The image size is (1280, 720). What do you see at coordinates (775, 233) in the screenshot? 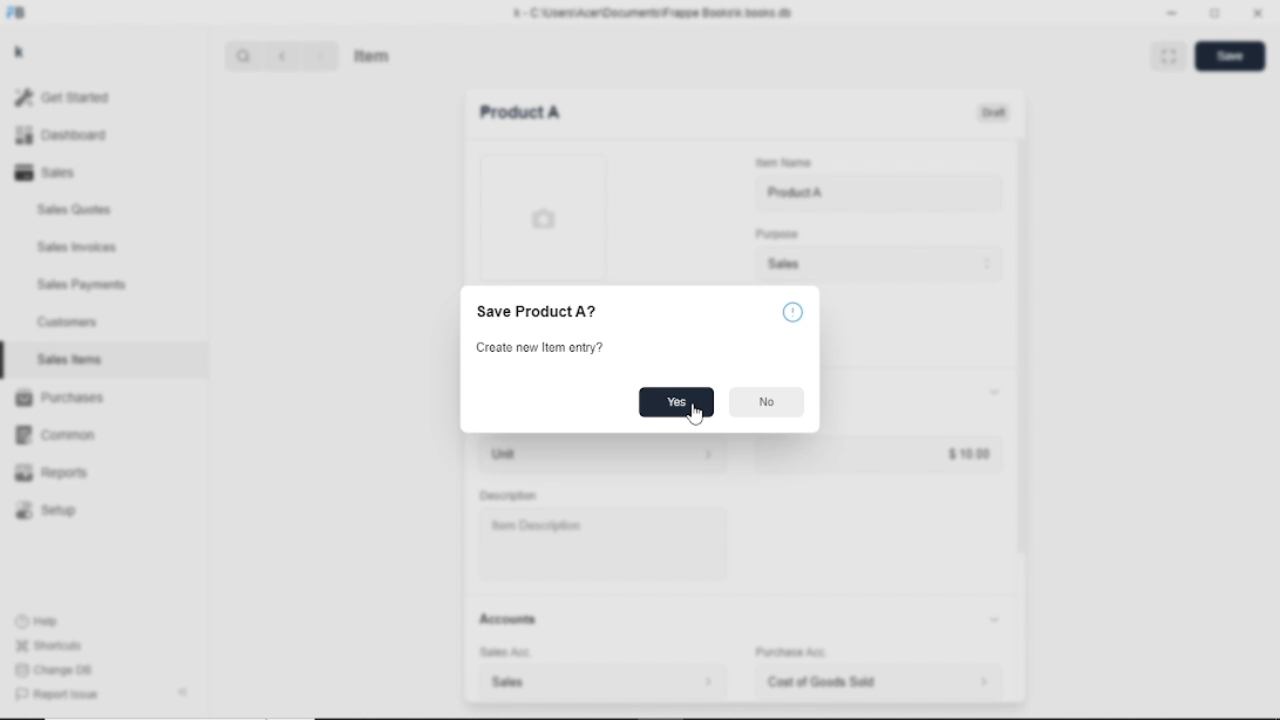
I see `Purpose` at bounding box center [775, 233].